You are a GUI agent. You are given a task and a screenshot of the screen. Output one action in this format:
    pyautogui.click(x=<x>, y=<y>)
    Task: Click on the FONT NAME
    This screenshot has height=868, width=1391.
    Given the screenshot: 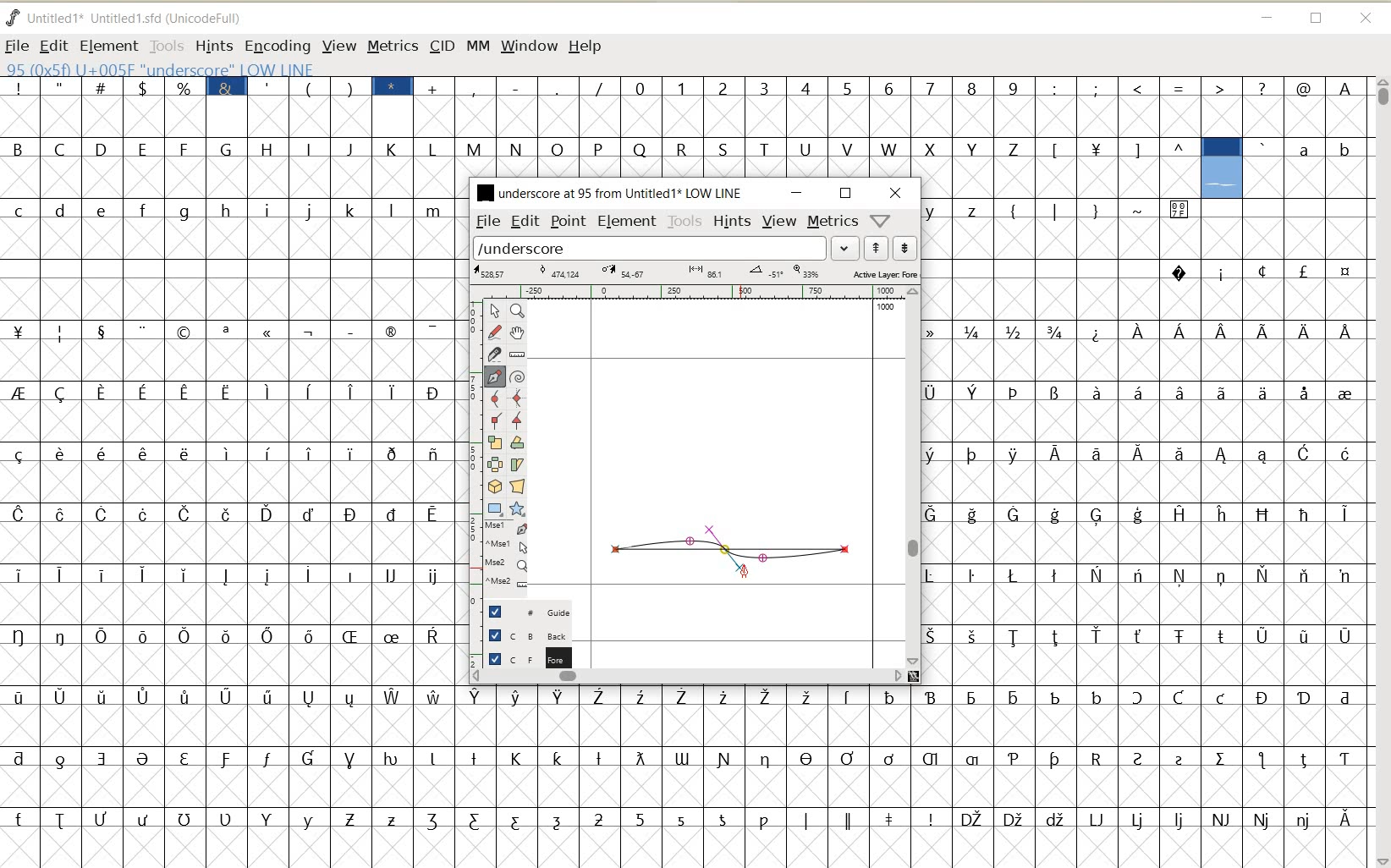 What is the action you would take?
    pyautogui.click(x=608, y=192)
    